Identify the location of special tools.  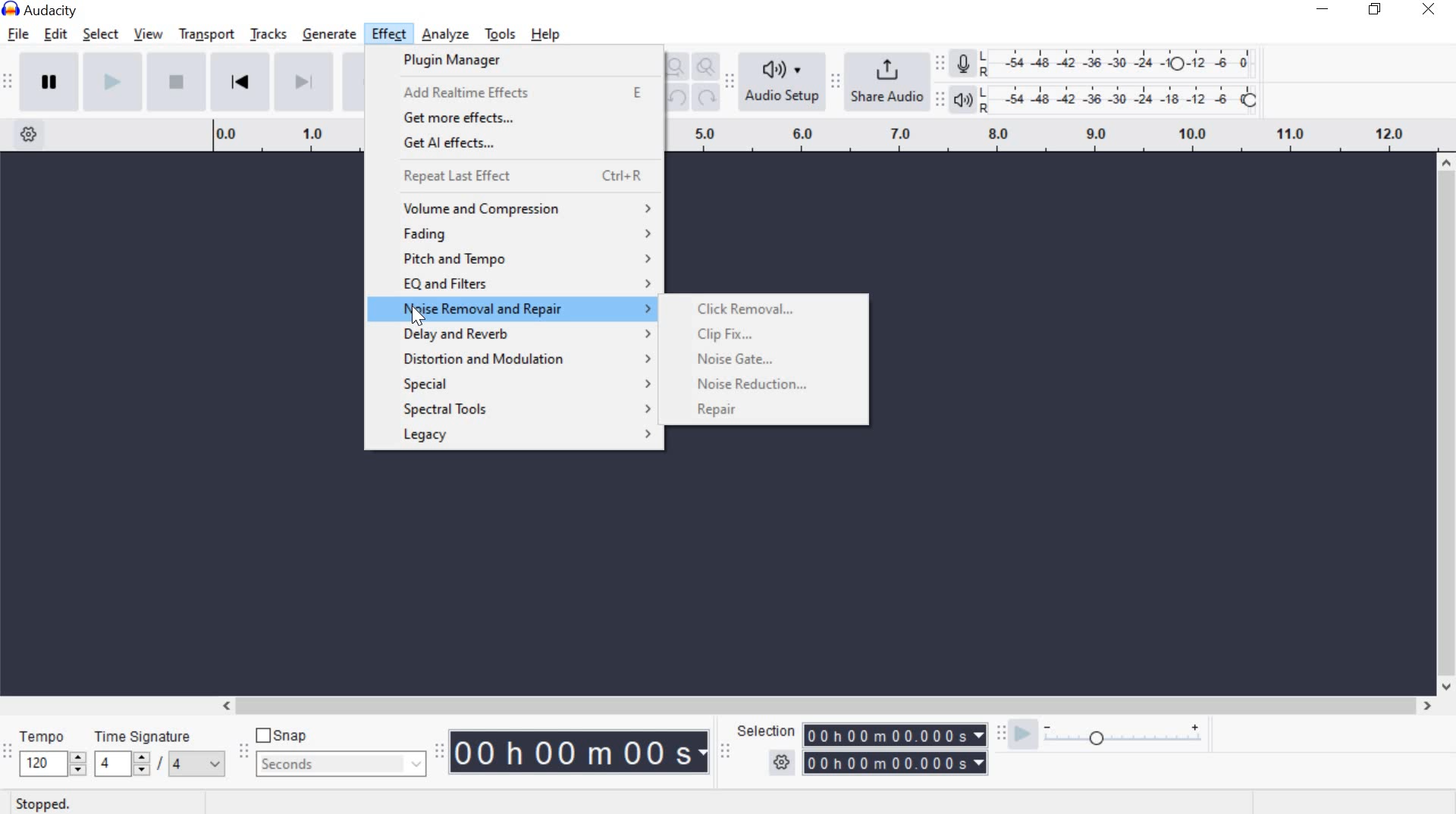
(527, 410).